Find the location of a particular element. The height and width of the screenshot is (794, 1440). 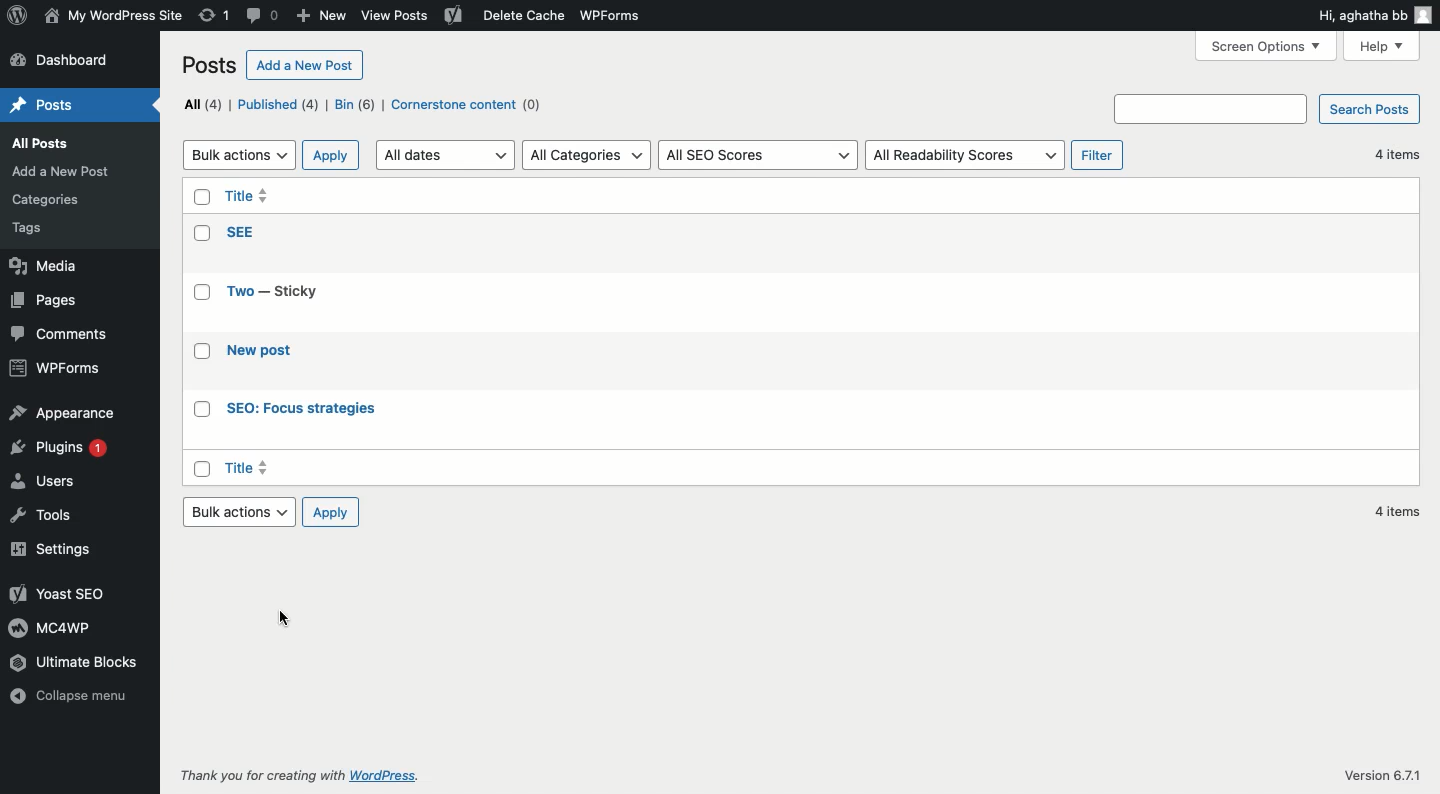

Bin is located at coordinates (357, 106).